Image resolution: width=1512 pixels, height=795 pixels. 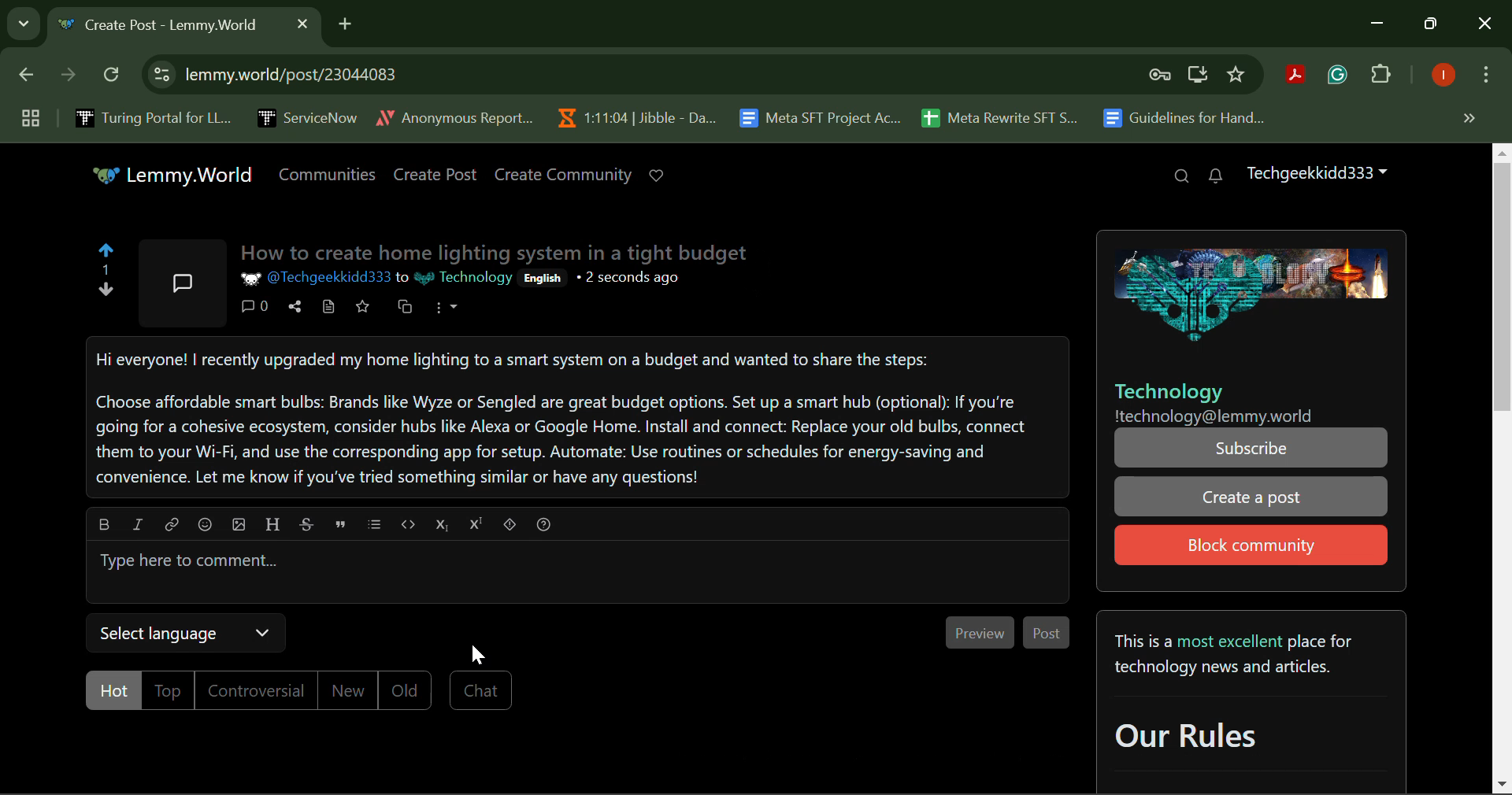 I want to click on More Options, so click(x=1484, y=78).